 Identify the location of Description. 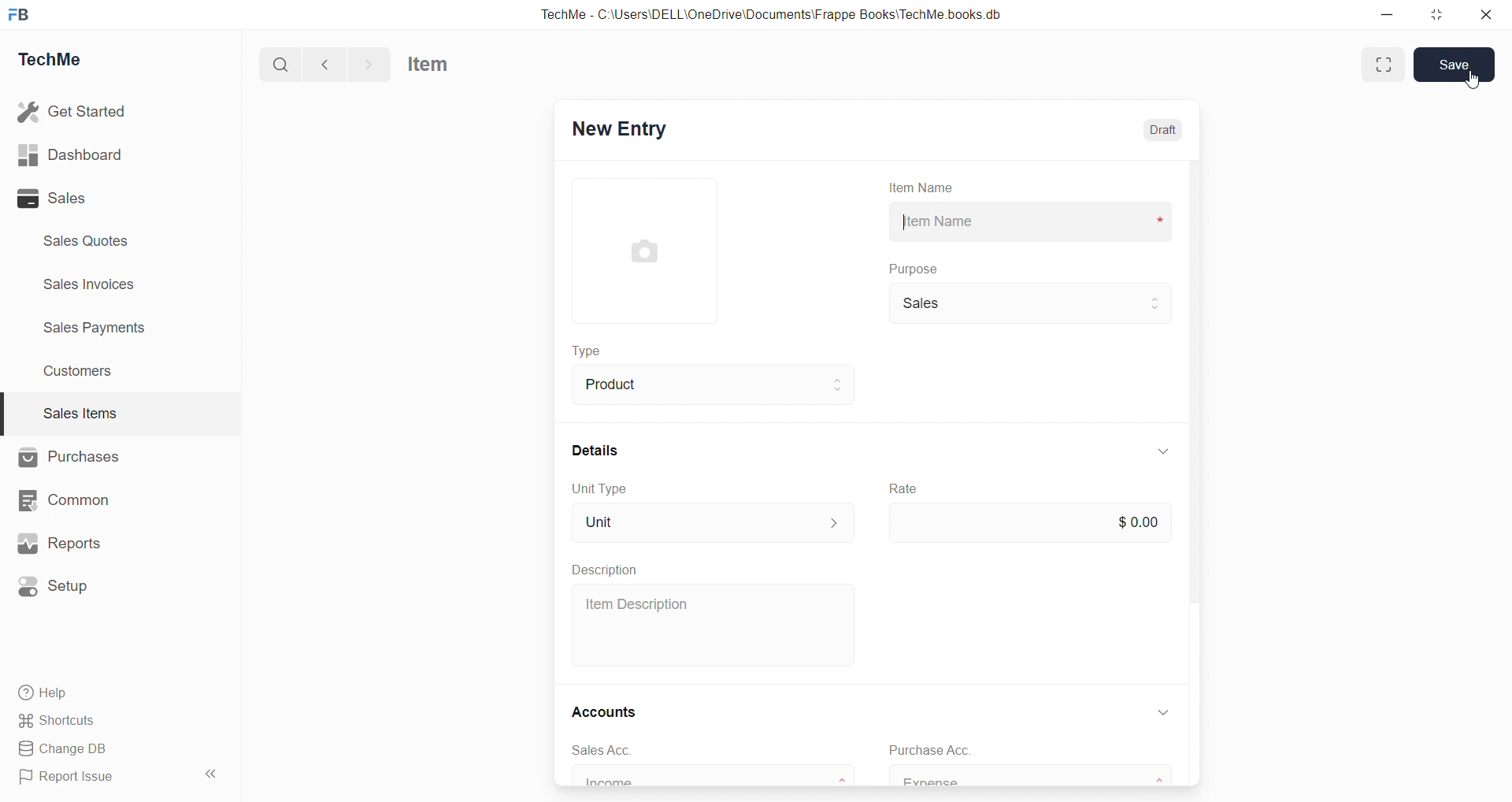
(608, 570).